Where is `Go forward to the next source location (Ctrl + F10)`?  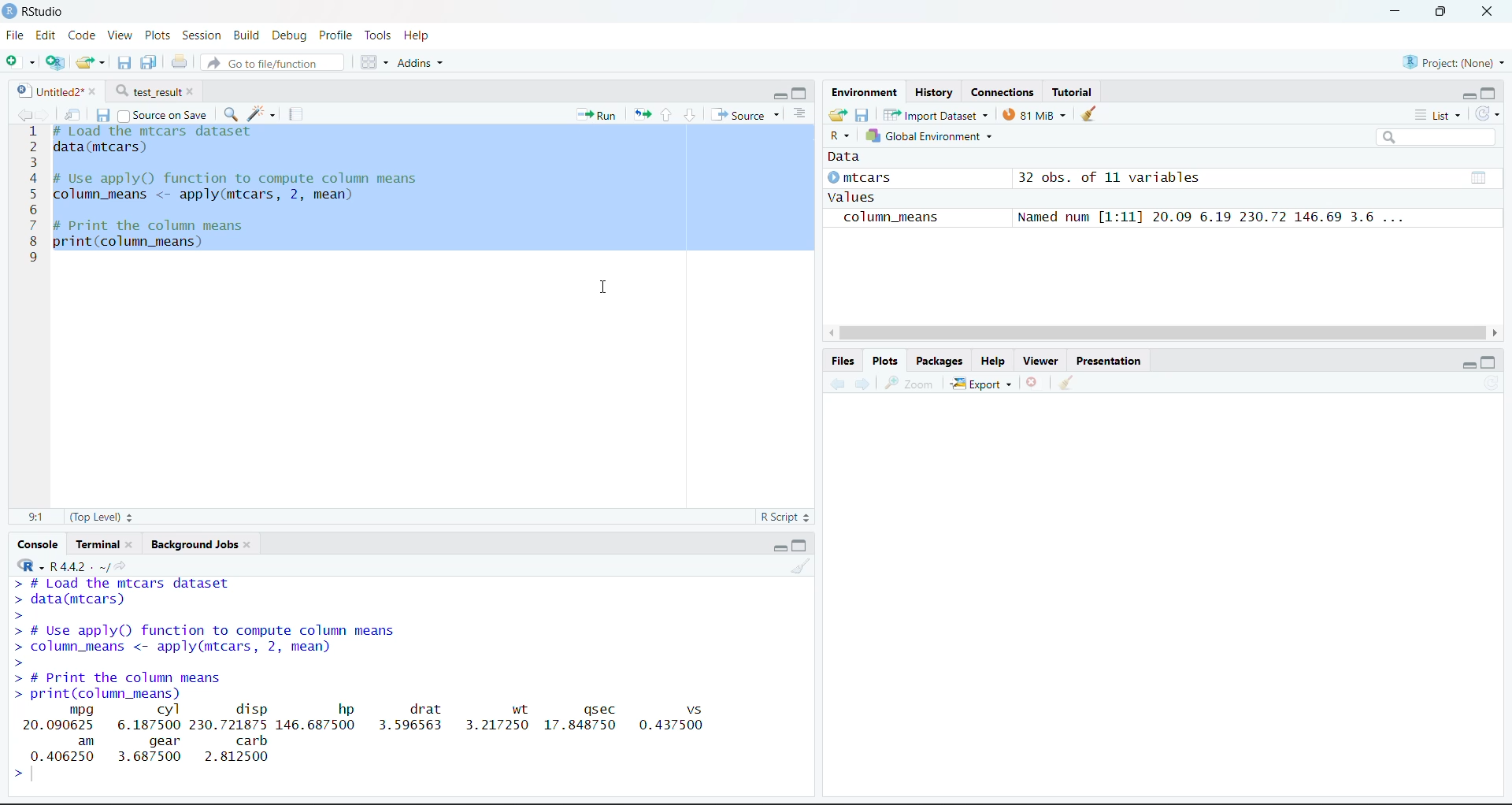 Go forward to the next source location (Ctrl + F10) is located at coordinates (49, 114).